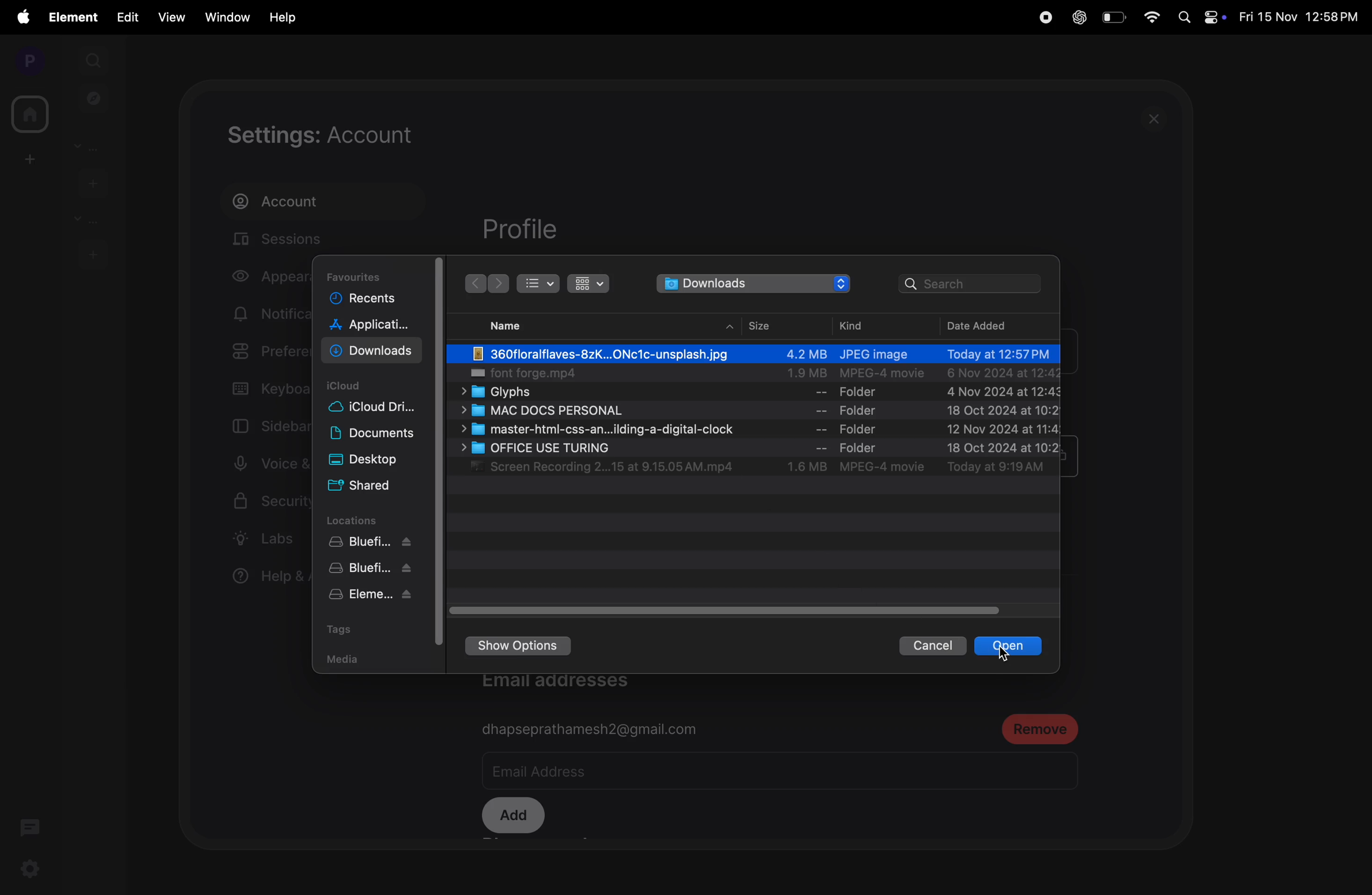 The width and height of the screenshot is (1372, 895). I want to click on date, so click(983, 325).